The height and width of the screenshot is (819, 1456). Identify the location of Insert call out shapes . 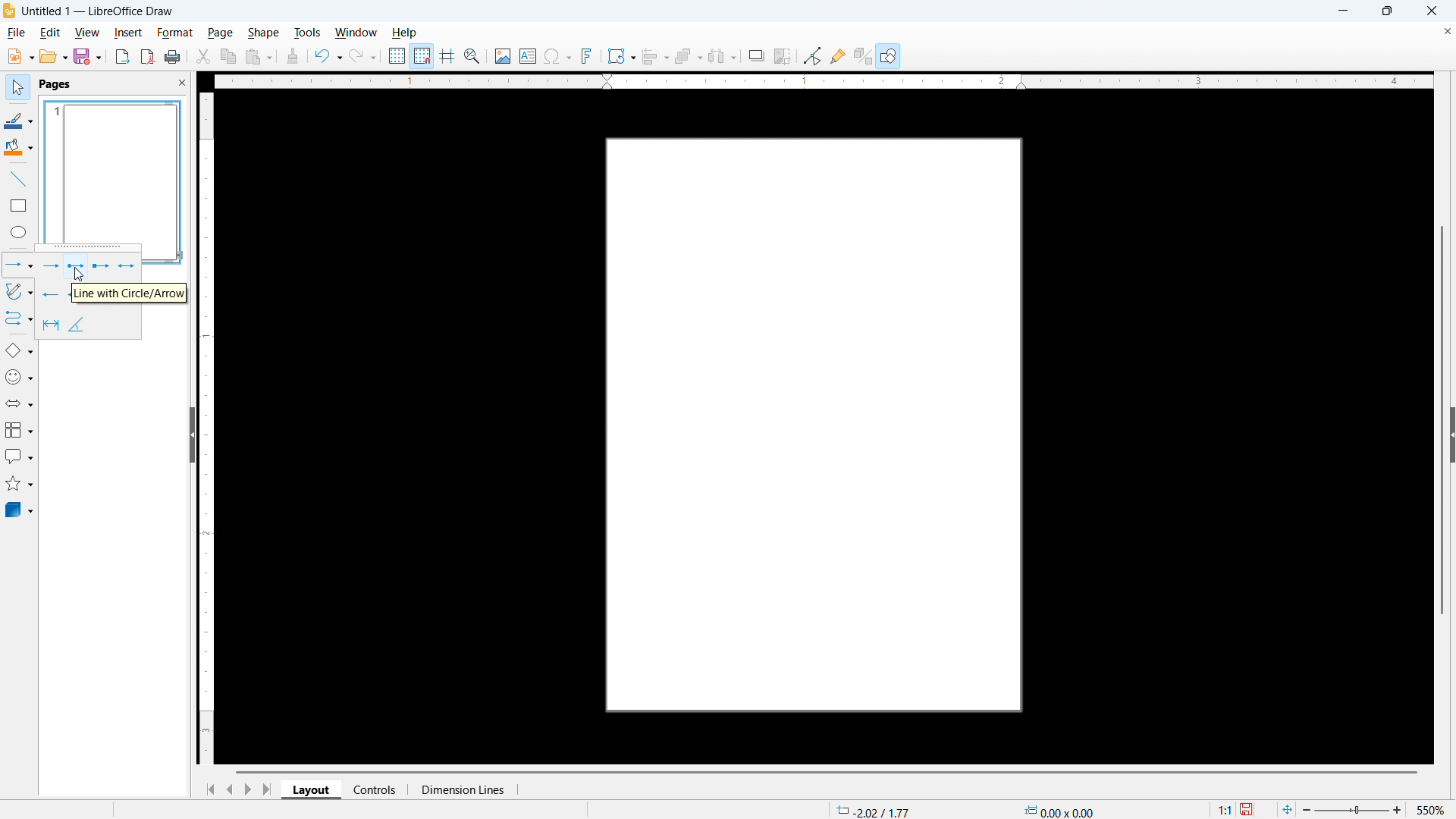
(20, 456).